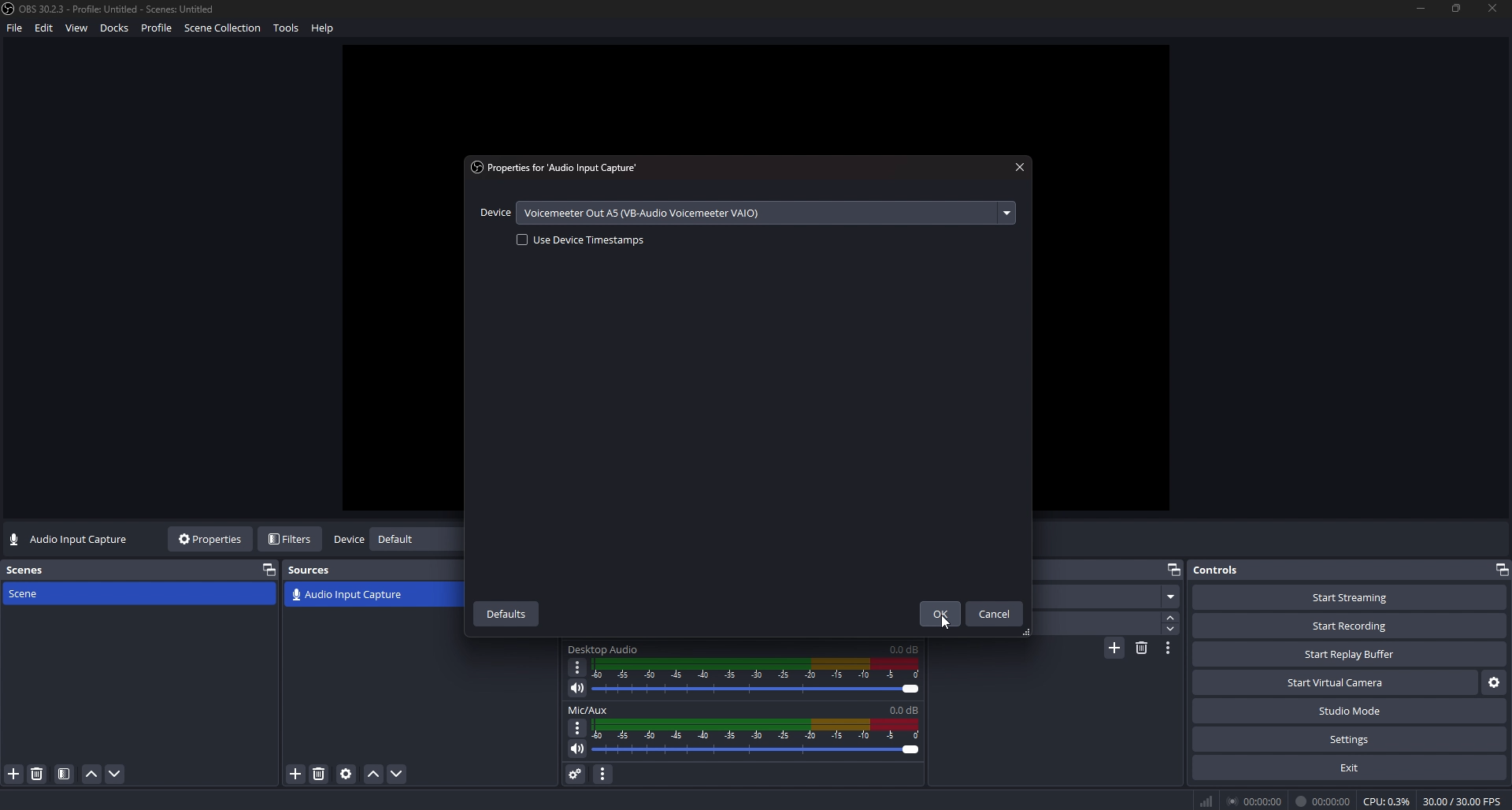 The width and height of the screenshot is (1512, 810). What do you see at coordinates (374, 775) in the screenshot?
I see `move source up` at bounding box center [374, 775].